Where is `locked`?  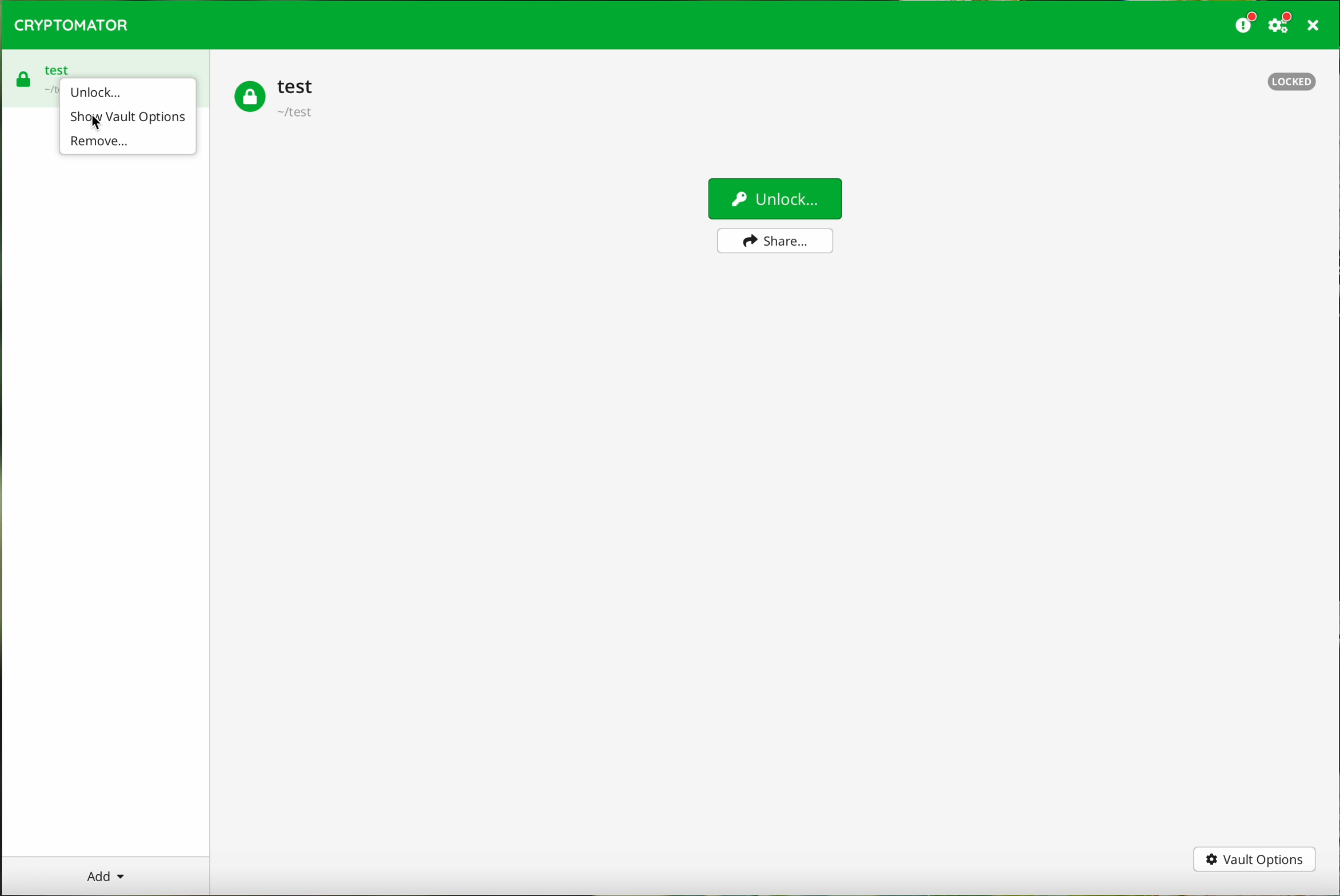 locked is located at coordinates (1290, 79).